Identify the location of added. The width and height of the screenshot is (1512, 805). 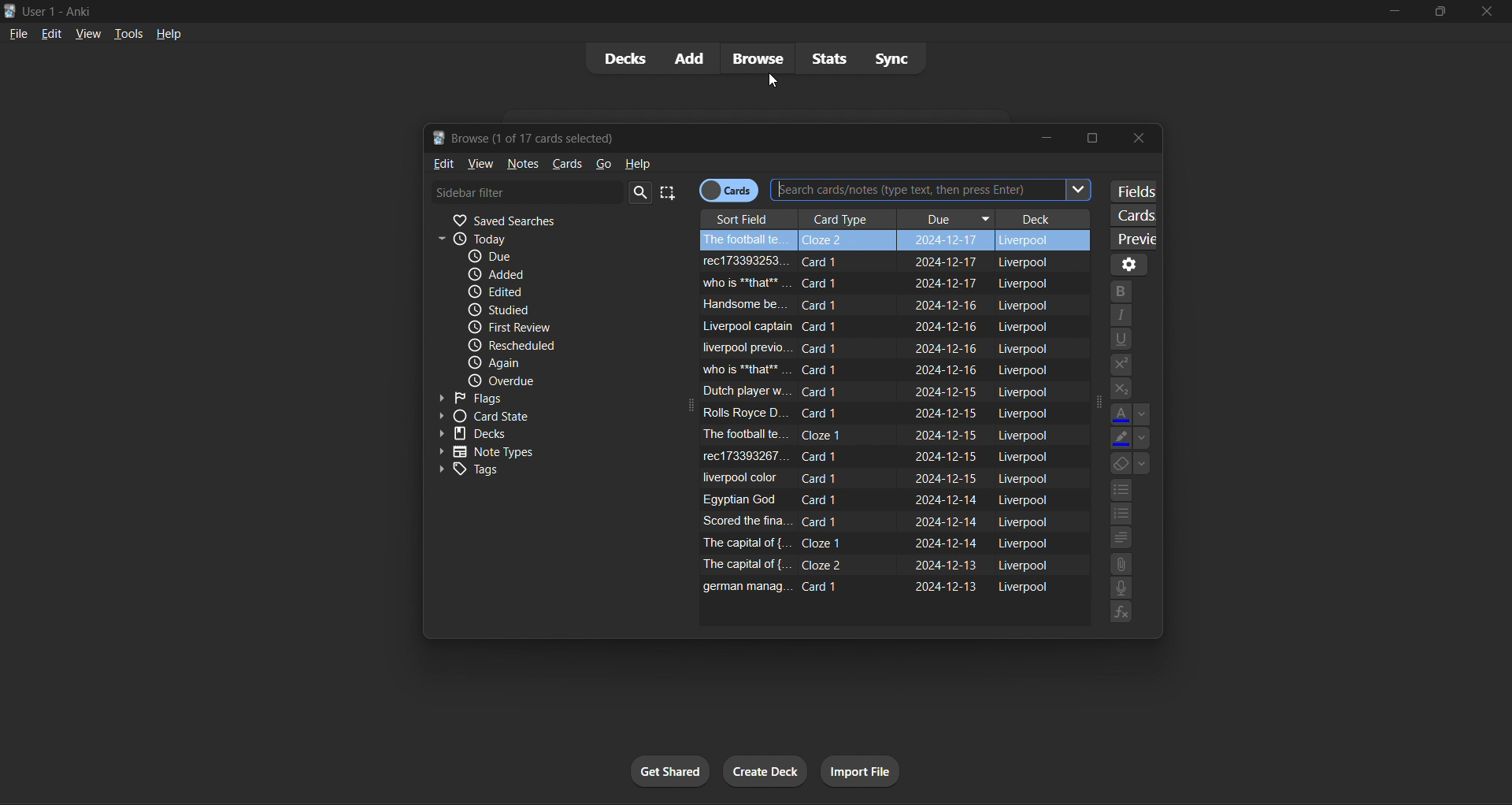
(550, 273).